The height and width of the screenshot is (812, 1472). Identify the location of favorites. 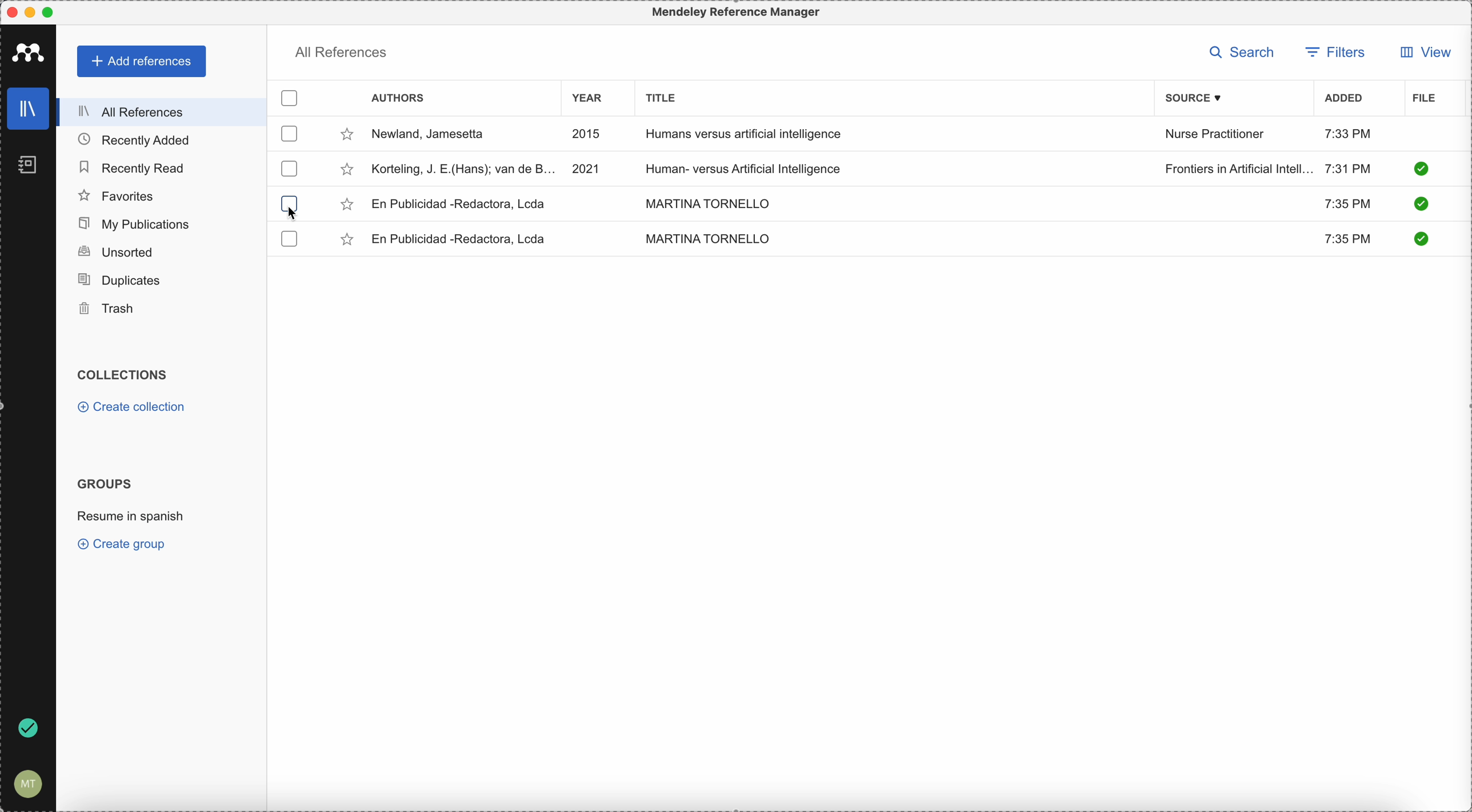
(117, 196).